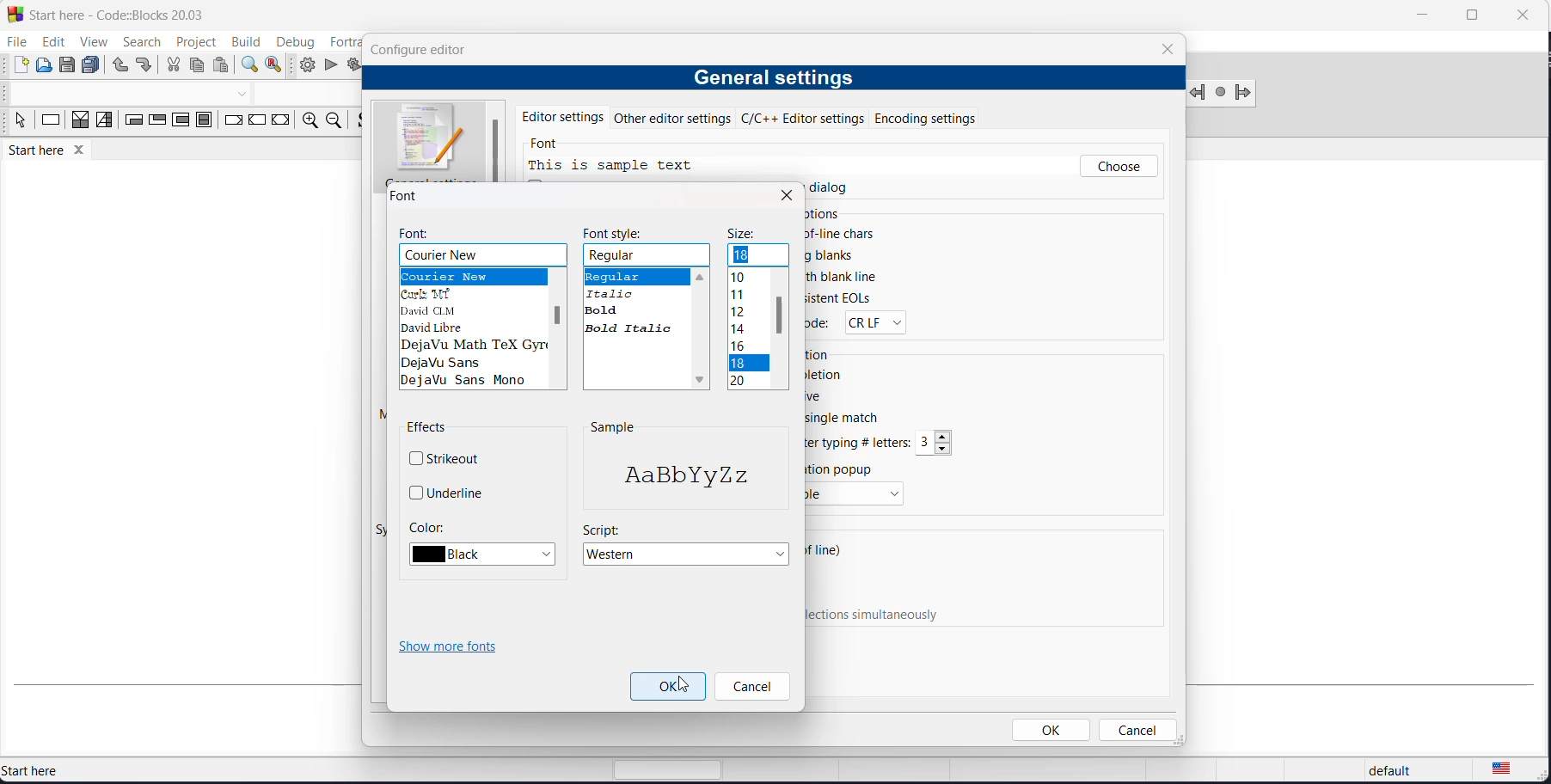 Image resolution: width=1551 pixels, height=784 pixels. What do you see at coordinates (1119, 167) in the screenshot?
I see `choose` at bounding box center [1119, 167].